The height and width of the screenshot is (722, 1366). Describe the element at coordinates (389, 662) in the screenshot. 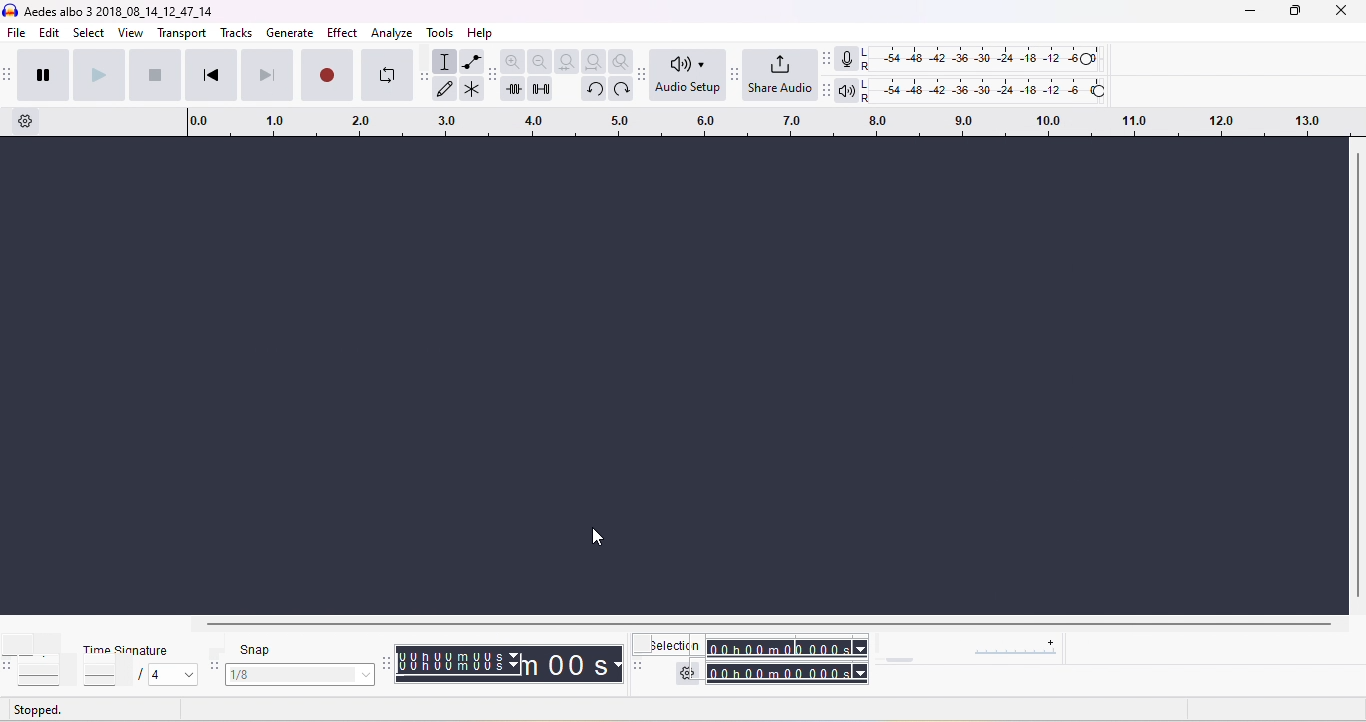

I see `audacity time tool bar` at that location.